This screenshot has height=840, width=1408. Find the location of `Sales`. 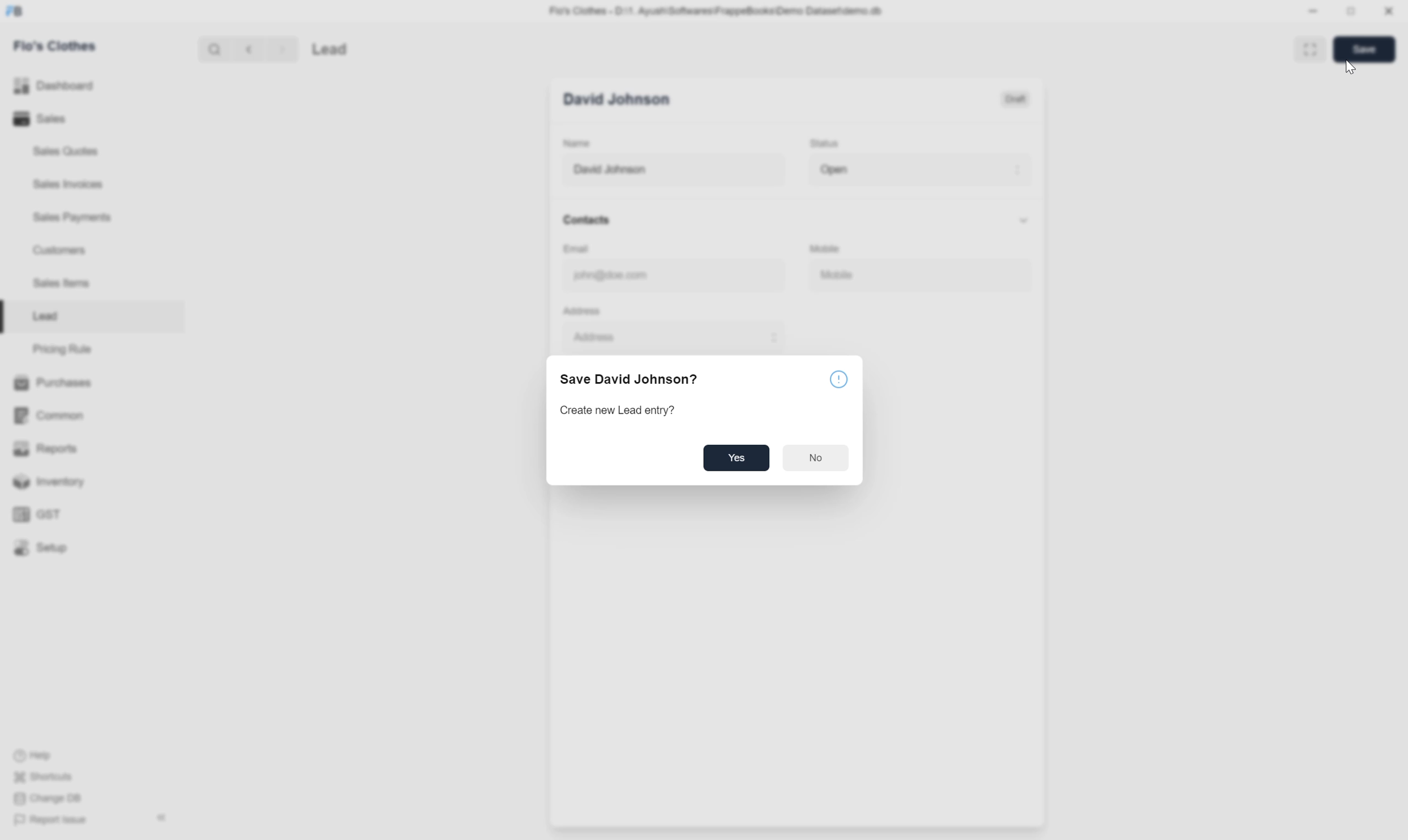

Sales is located at coordinates (40, 119).